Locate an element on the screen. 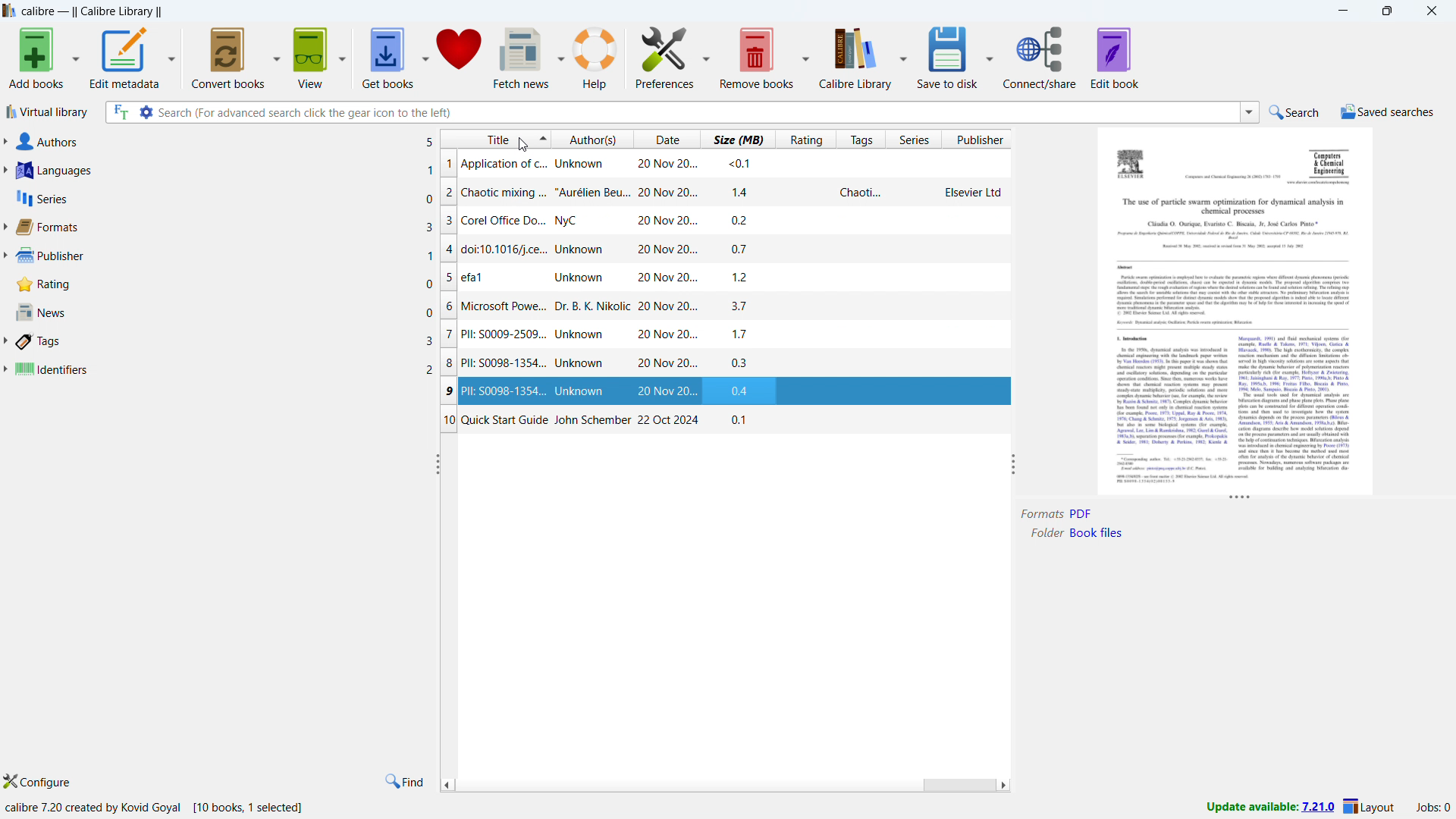 The image size is (1456, 819). Pll: 0009-2509... Unknown 20 Nov 20... is located at coordinates (582, 334).